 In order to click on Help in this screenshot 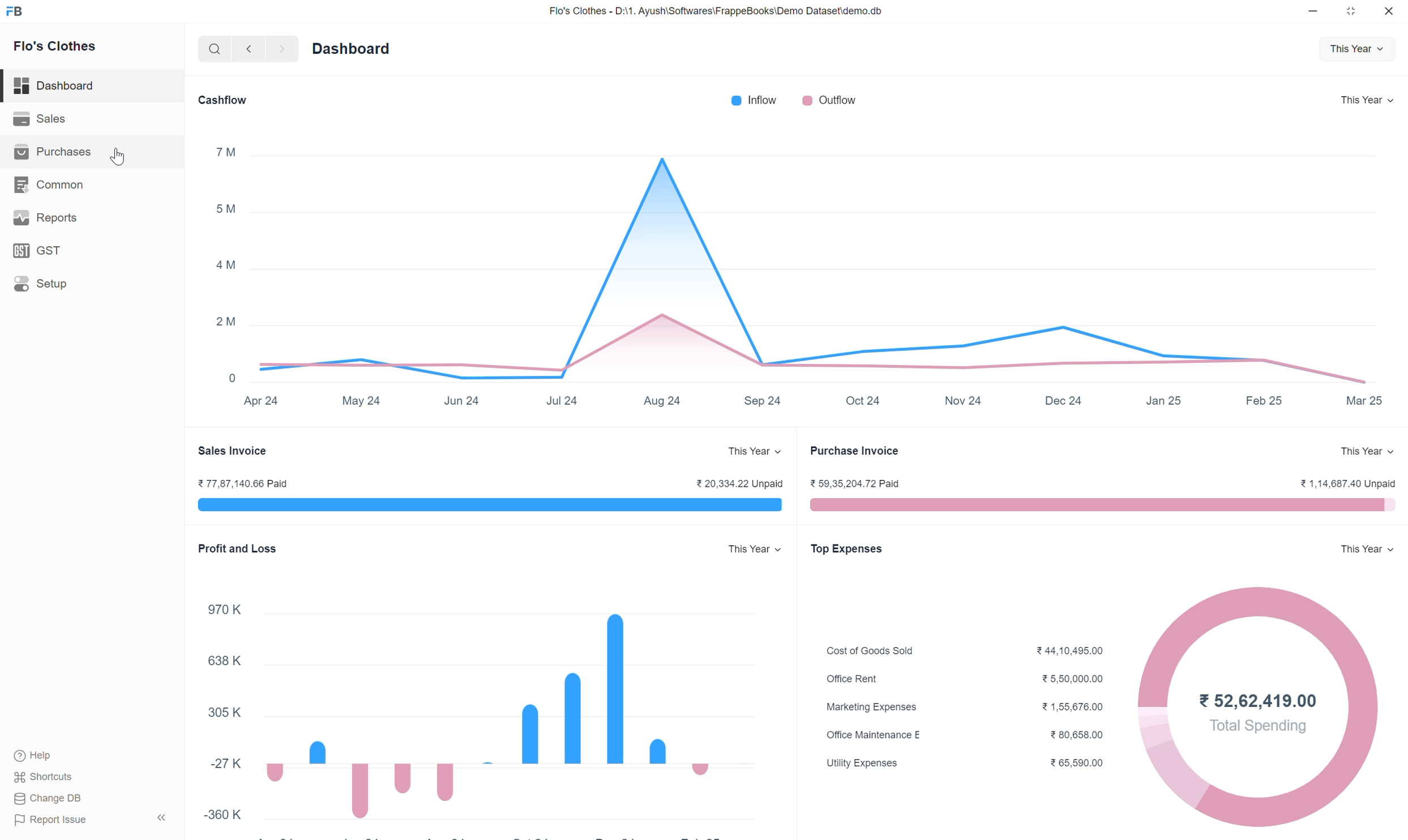, I will do `click(38, 756)`.